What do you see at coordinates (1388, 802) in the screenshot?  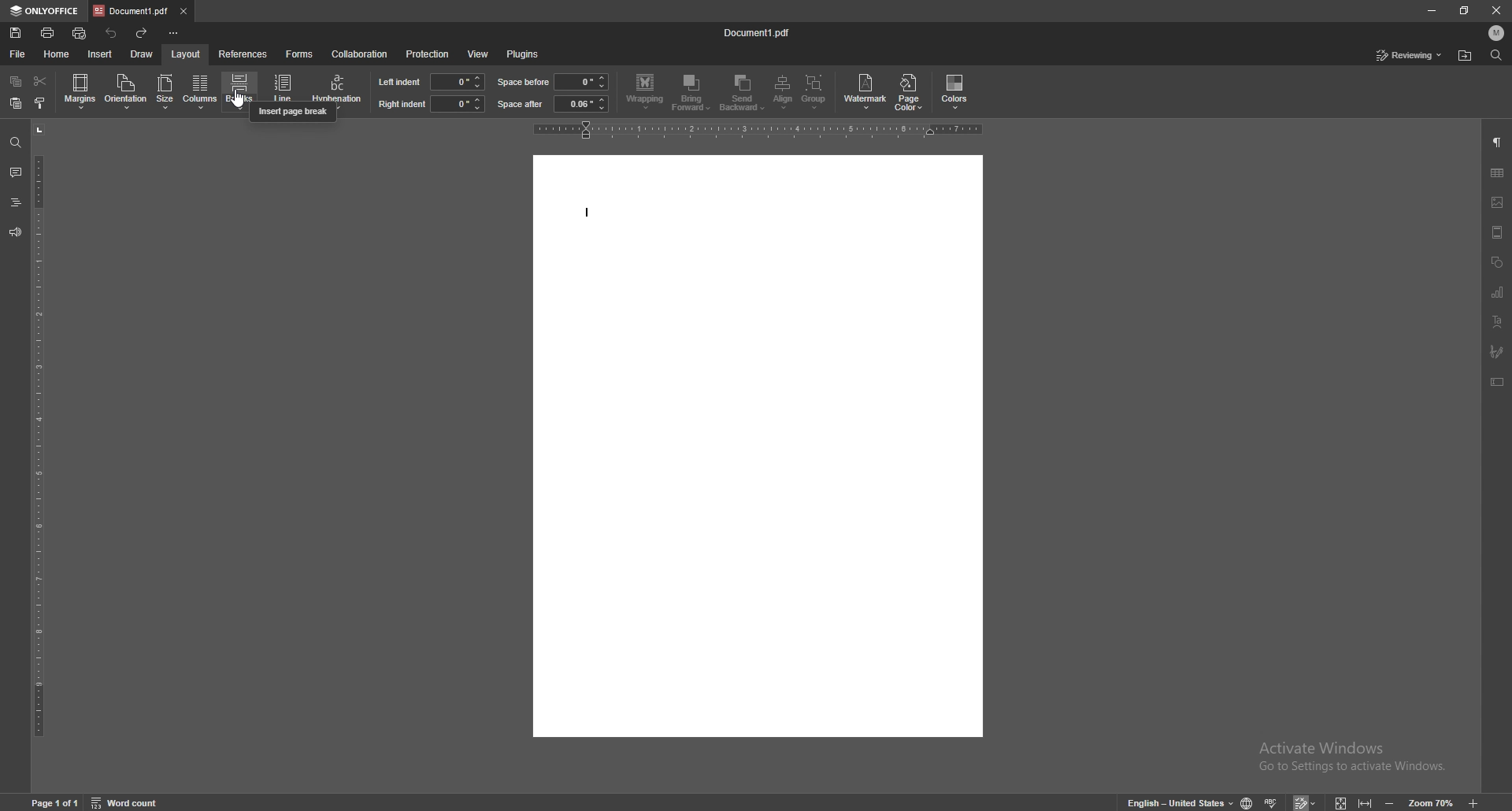 I see `Zoom out` at bounding box center [1388, 802].